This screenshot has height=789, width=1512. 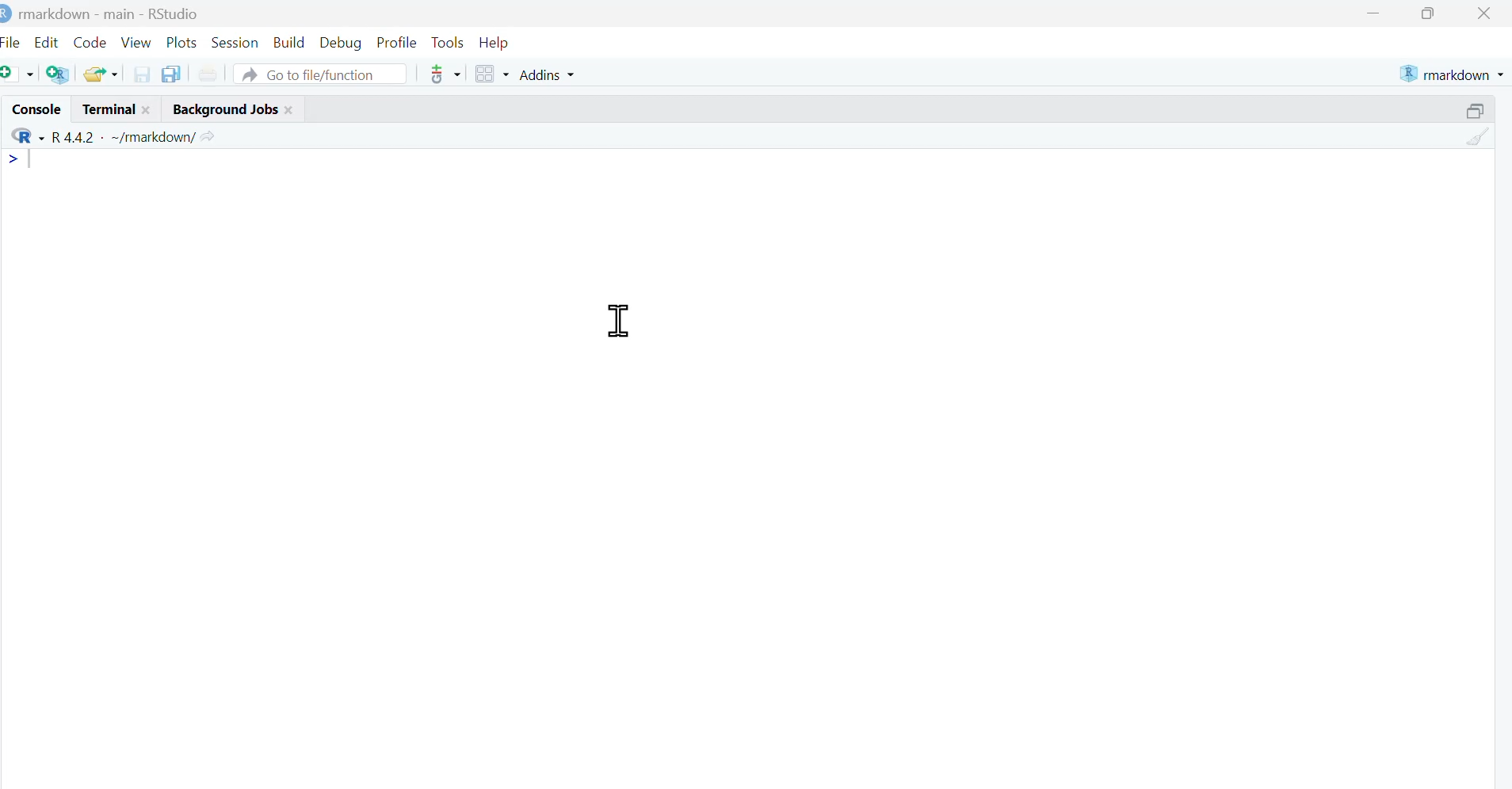 What do you see at coordinates (33, 109) in the screenshot?
I see `Console` at bounding box center [33, 109].